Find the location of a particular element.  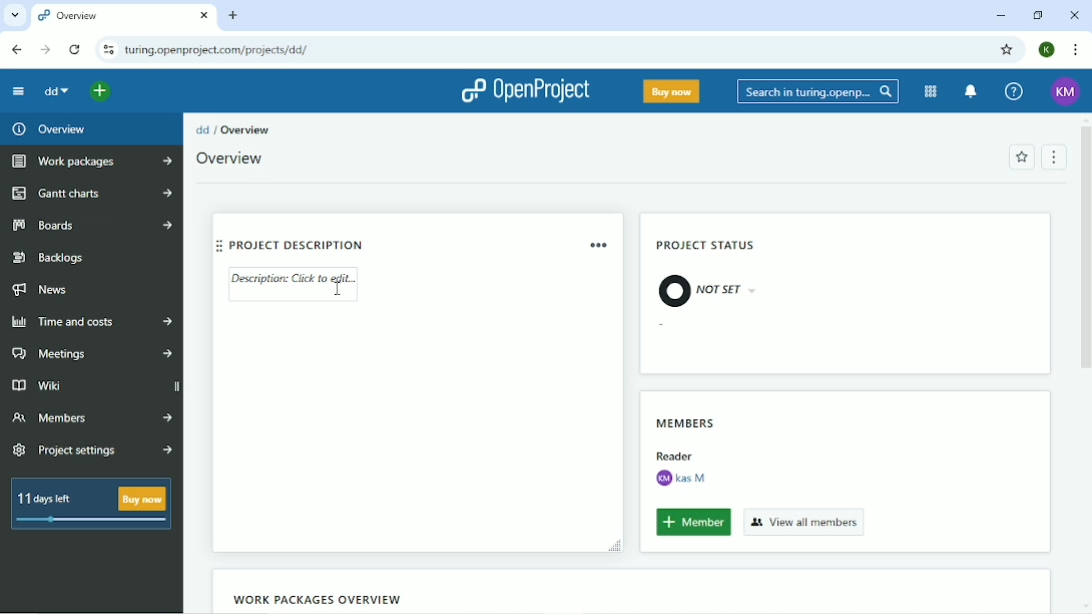

Modules is located at coordinates (930, 91).